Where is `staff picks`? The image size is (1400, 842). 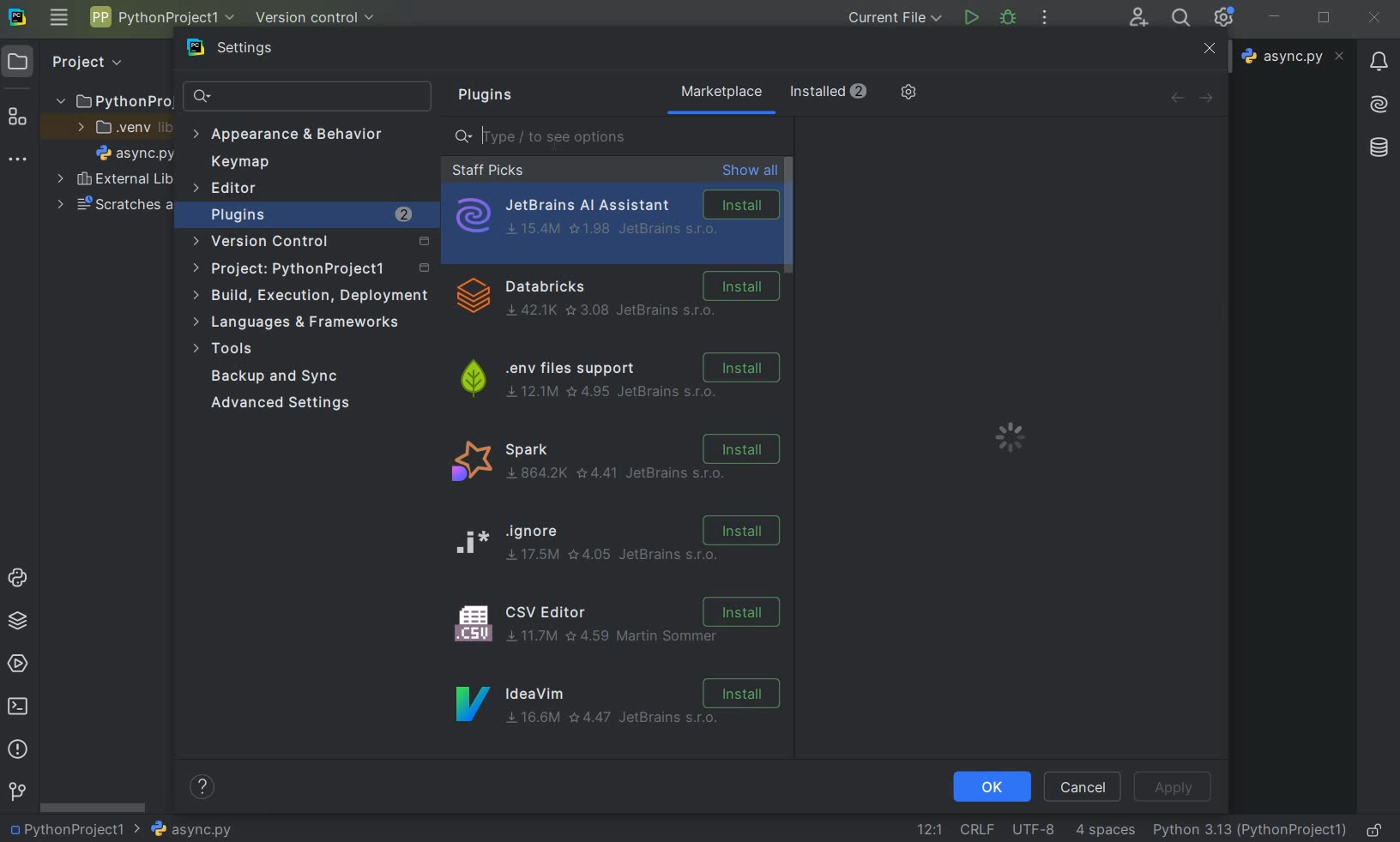 staff picks is located at coordinates (490, 171).